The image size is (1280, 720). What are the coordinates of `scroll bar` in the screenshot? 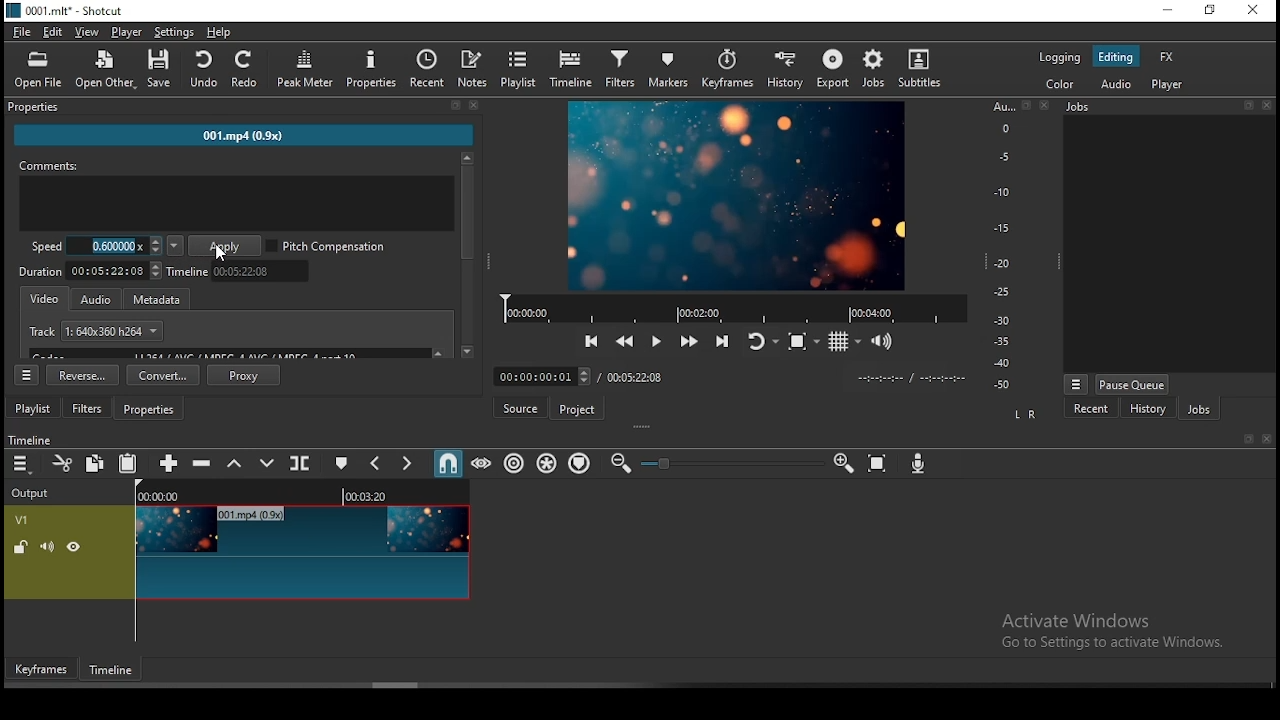 It's located at (469, 255).